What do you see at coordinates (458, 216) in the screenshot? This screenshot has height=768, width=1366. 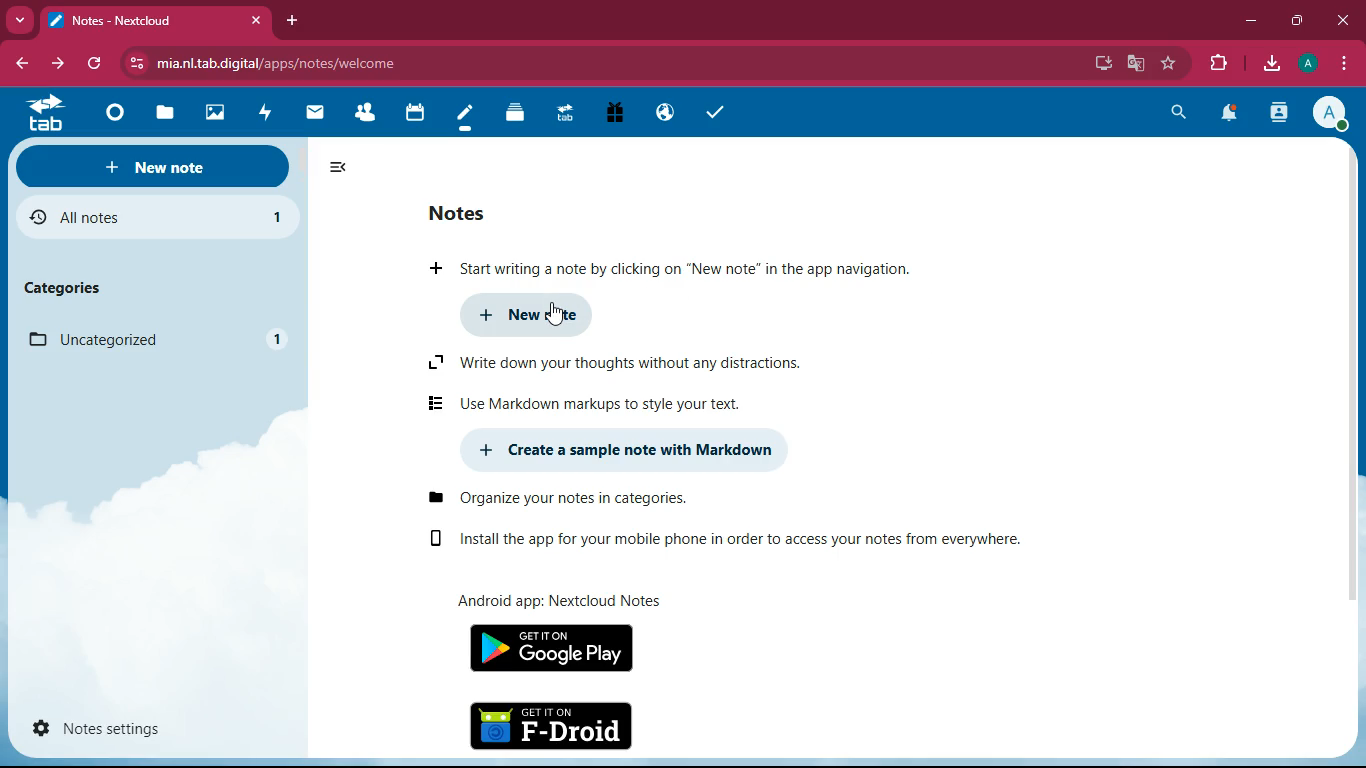 I see `notes` at bounding box center [458, 216].